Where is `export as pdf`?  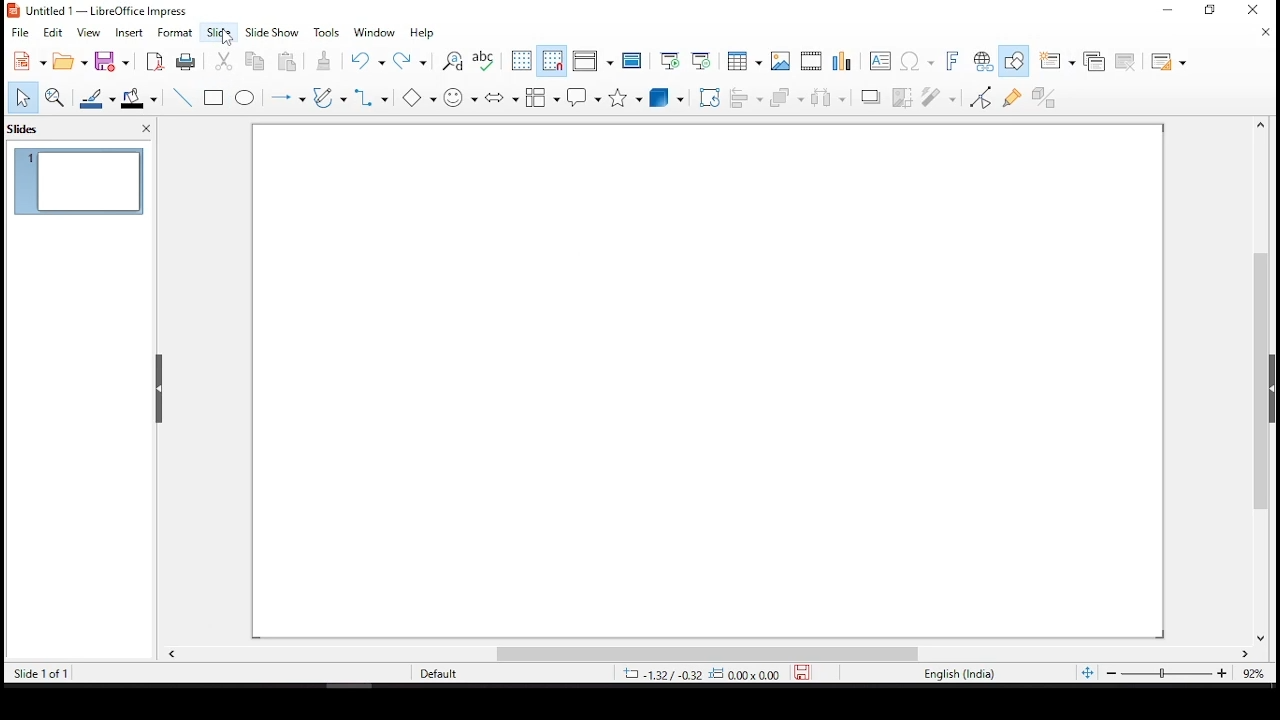
export as pdf is located at coordinates (155, 60).